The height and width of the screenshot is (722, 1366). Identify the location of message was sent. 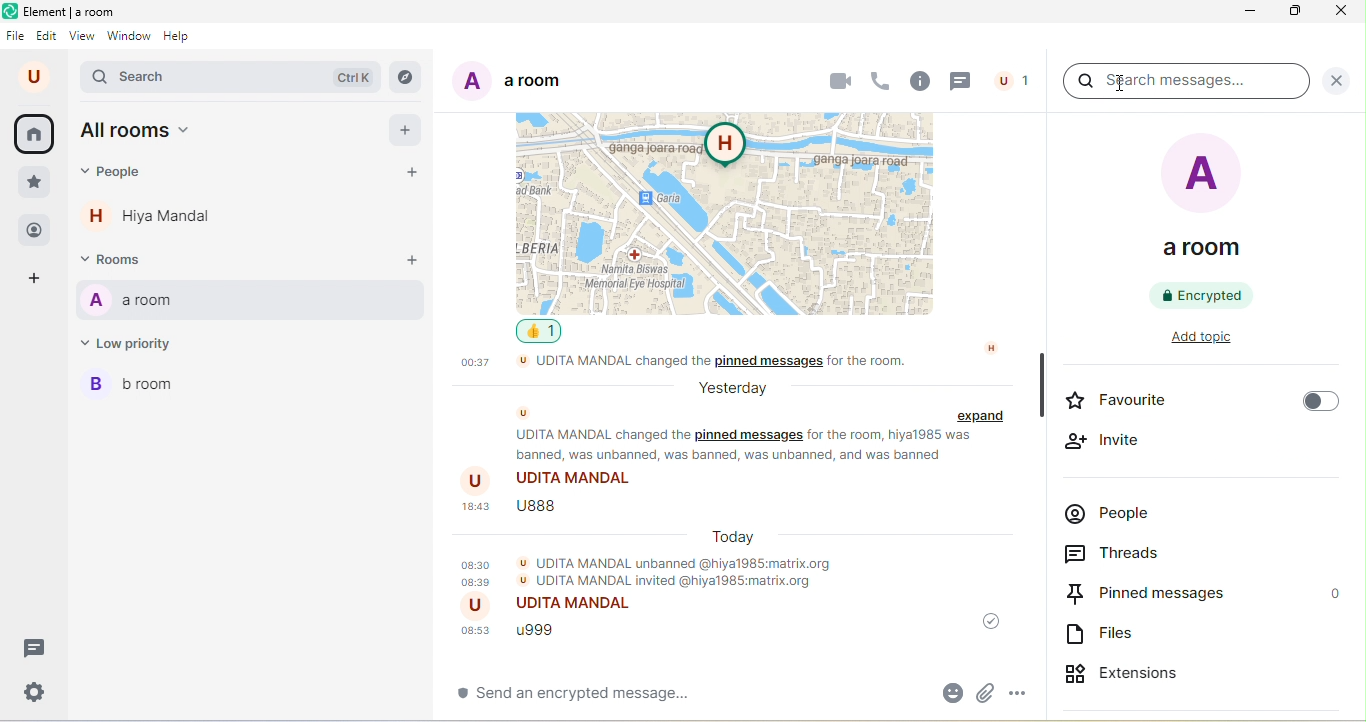
(986, 622).